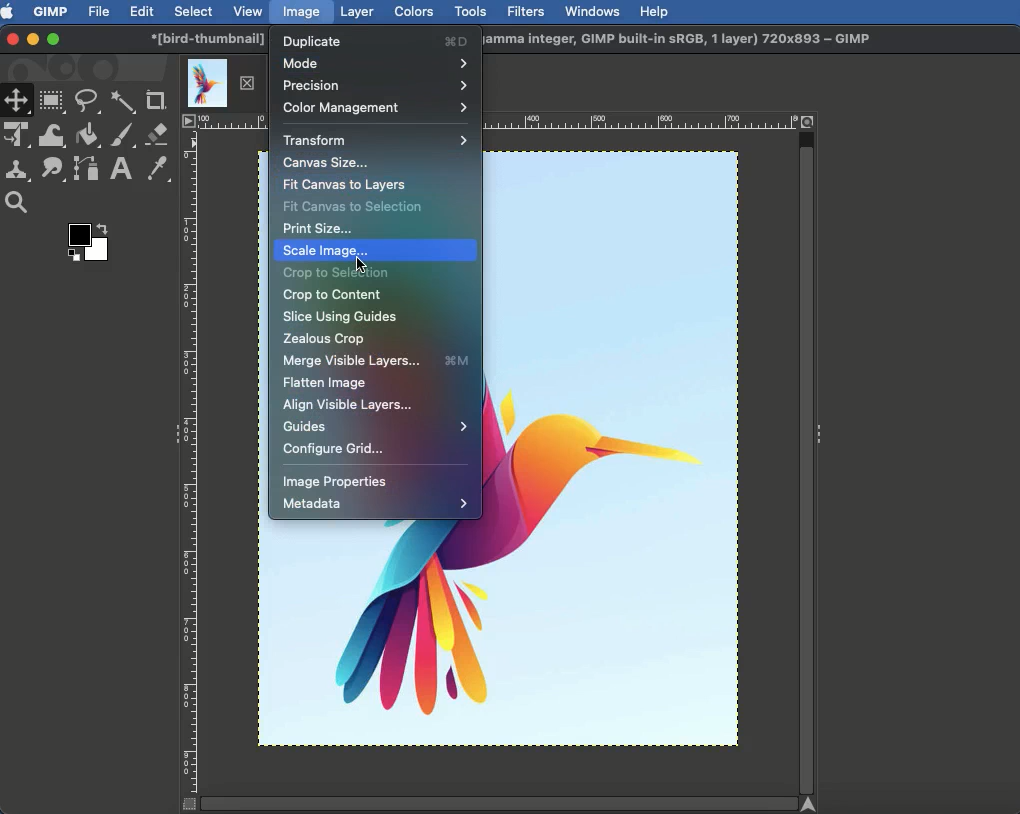 The width and height of the screenshot is (1020, 814). What do you see at coordinates (190, 461) in the screenshot?
I see `Ruler` at bounding box center [190, 461].